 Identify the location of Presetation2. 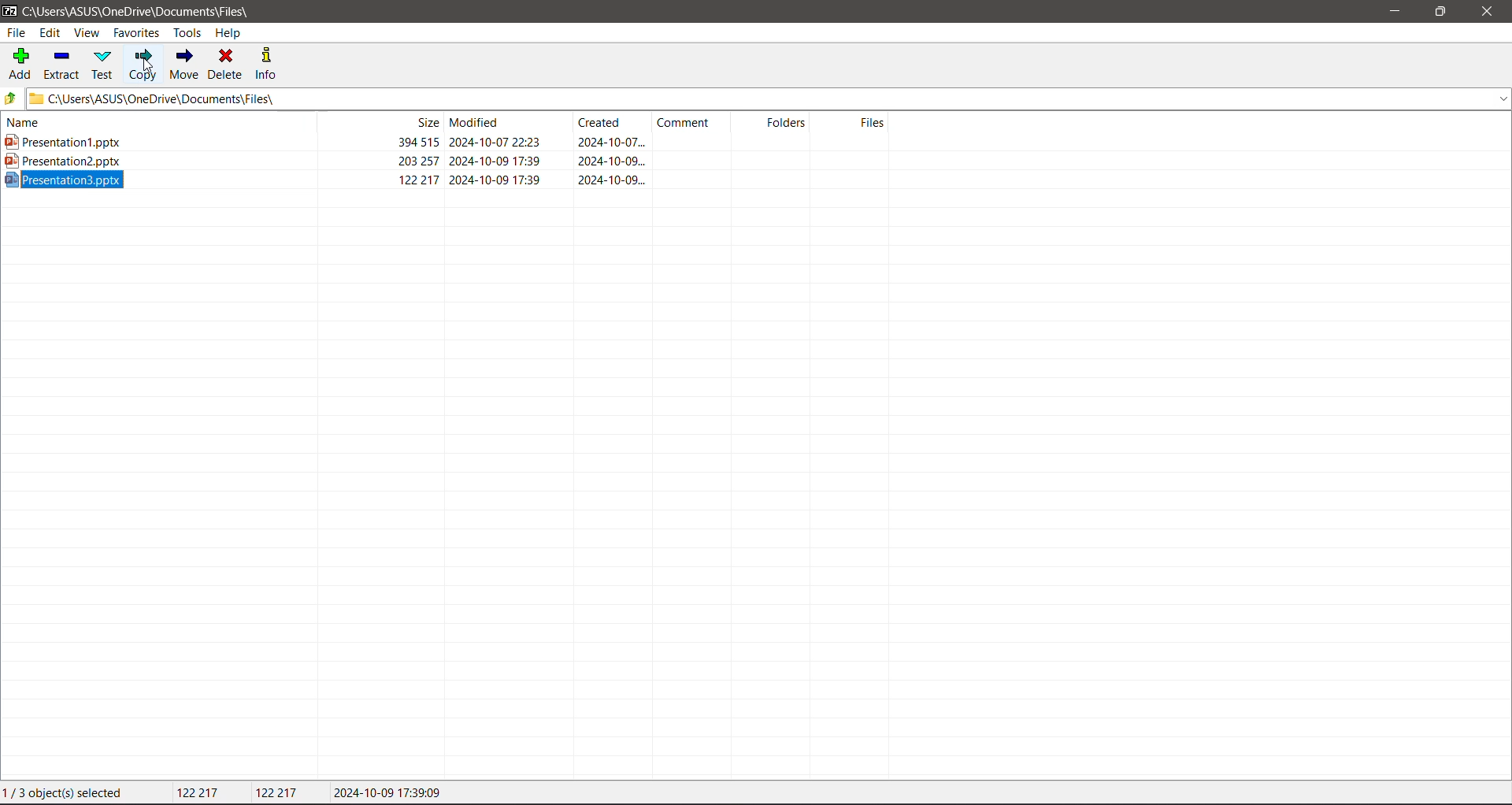
(325, 161).